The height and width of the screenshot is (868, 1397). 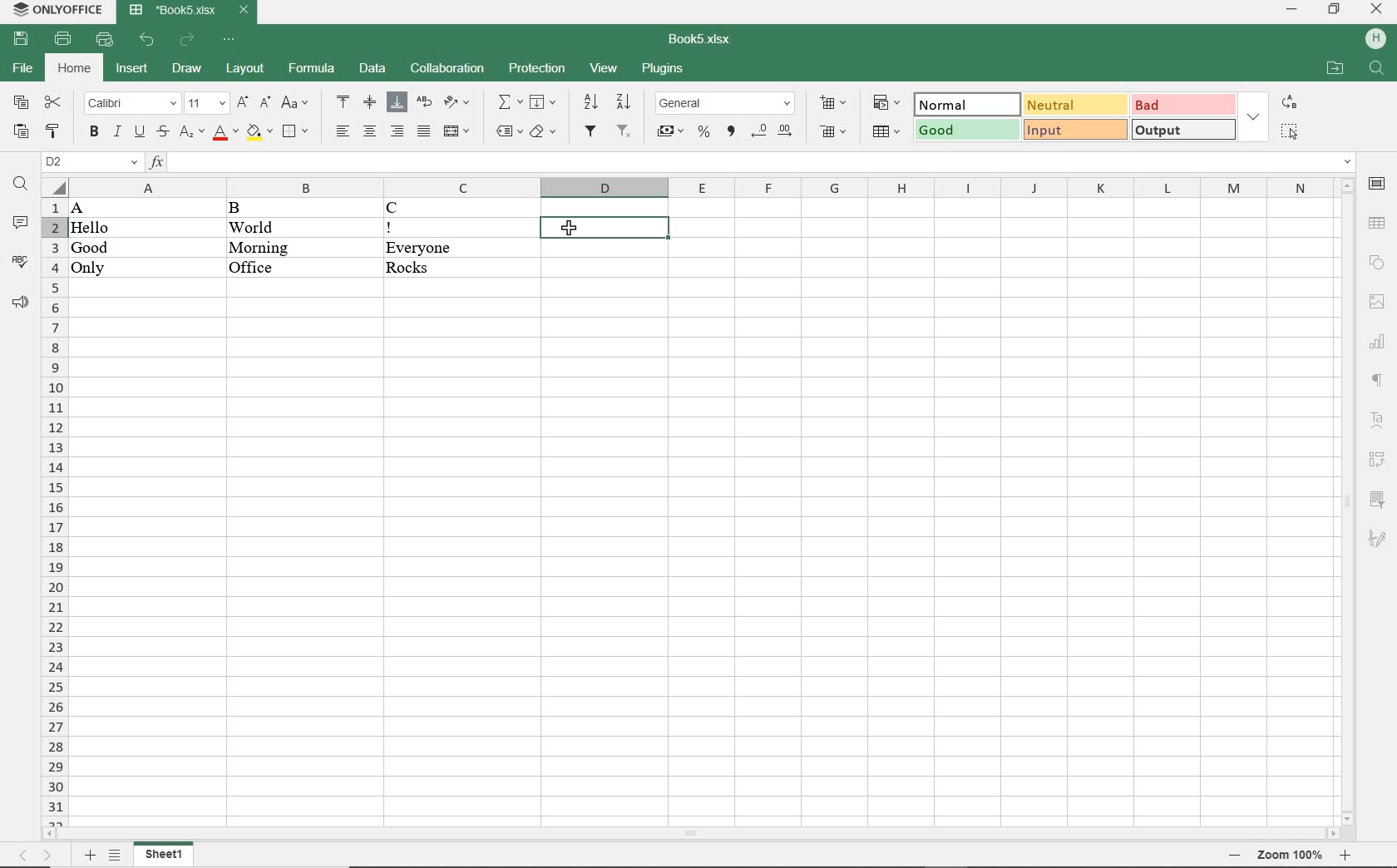 I want to click on COPY STYLE, so click(x=54, y=128).